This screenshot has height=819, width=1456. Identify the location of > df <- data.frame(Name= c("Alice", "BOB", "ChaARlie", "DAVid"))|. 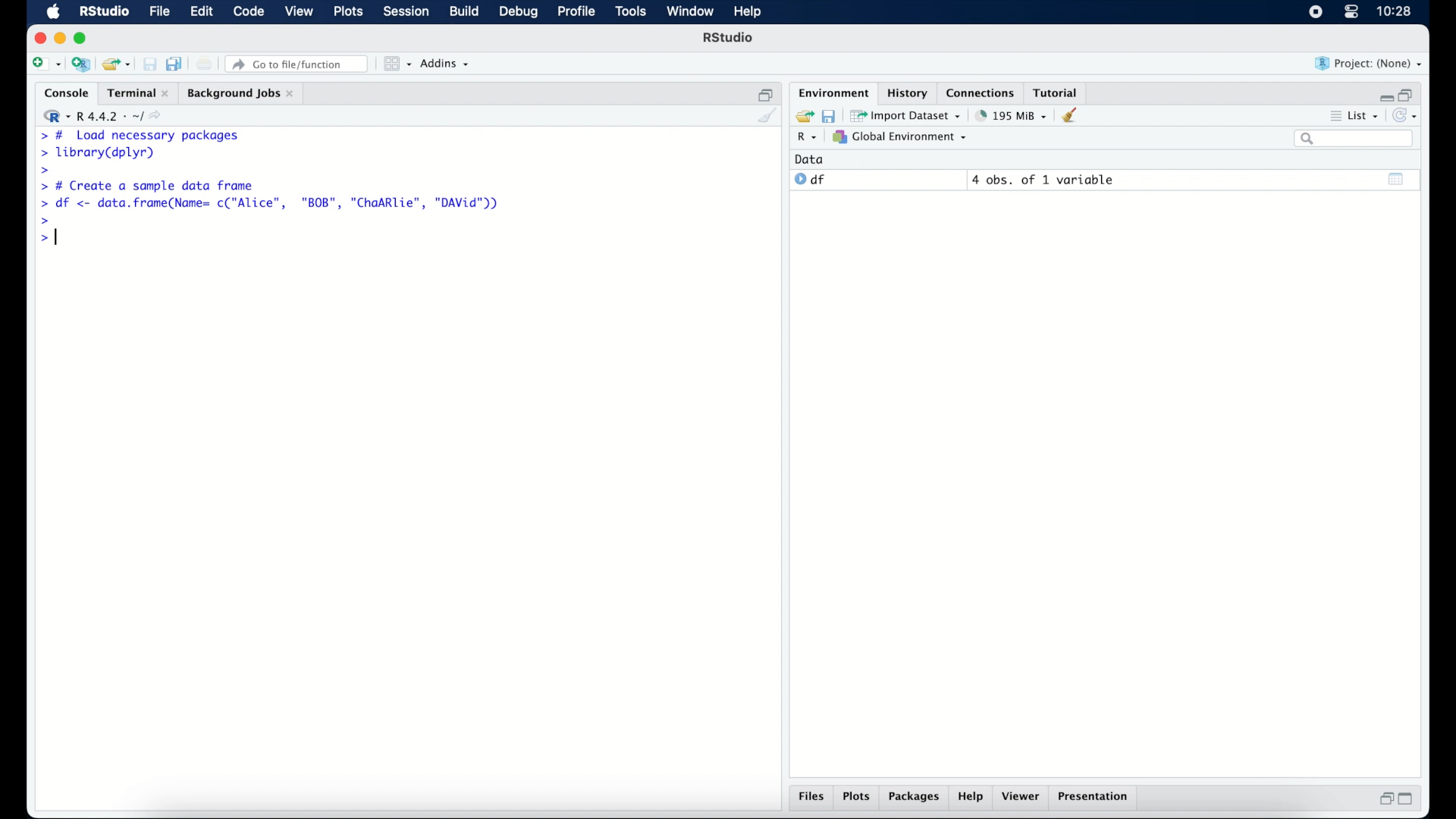
(274, 204).